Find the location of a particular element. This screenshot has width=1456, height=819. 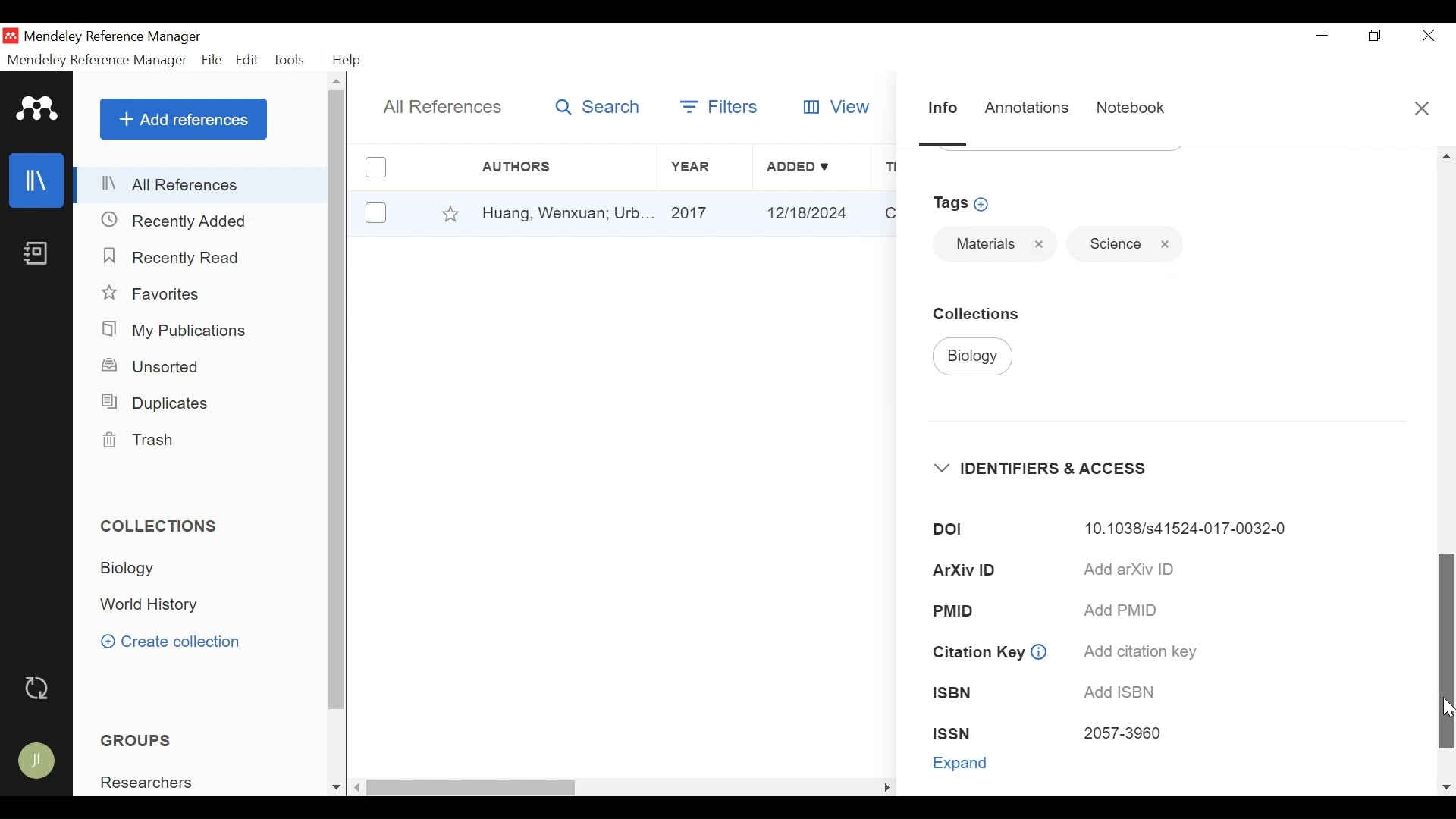

Trash is located at coordinates (146, 440).